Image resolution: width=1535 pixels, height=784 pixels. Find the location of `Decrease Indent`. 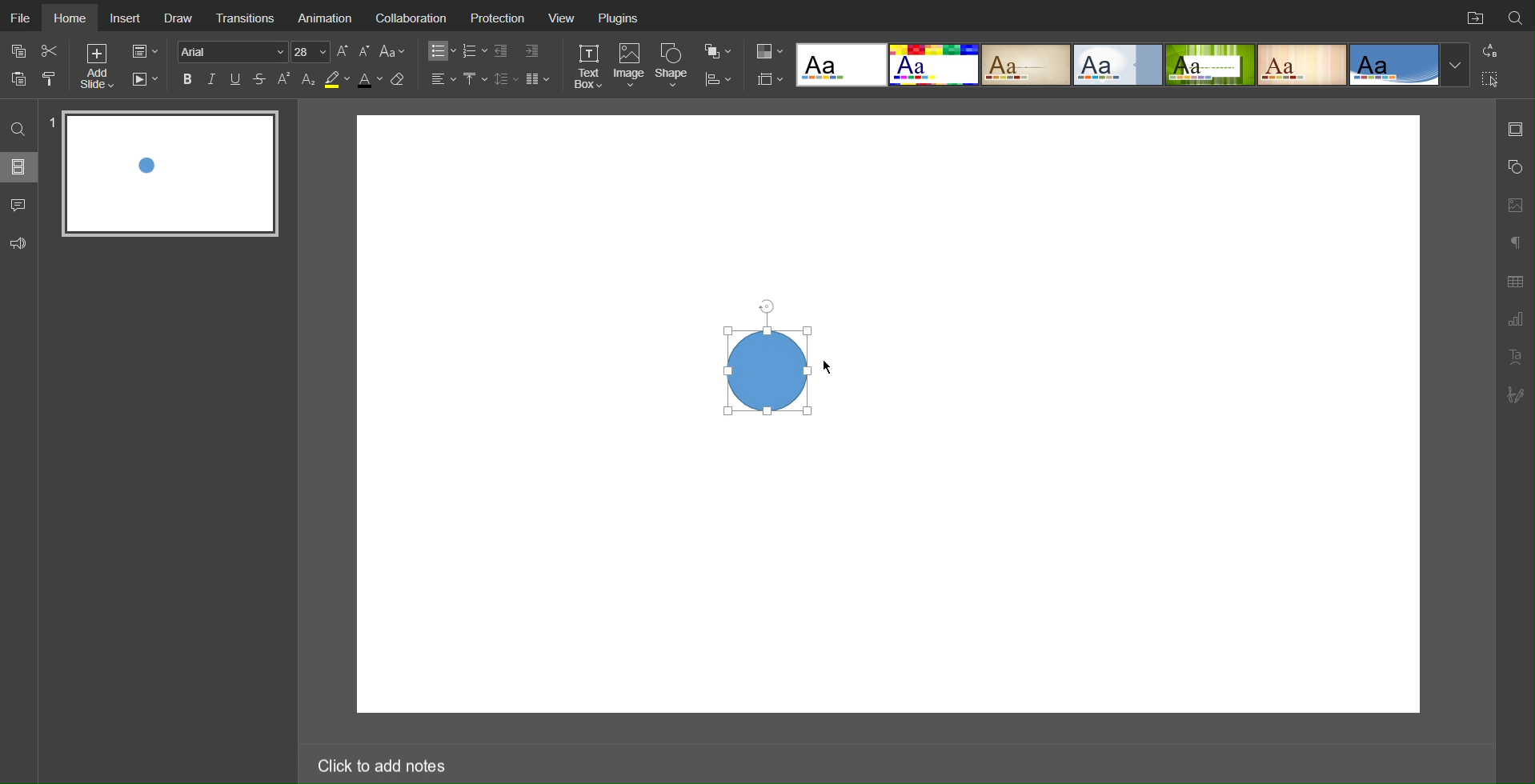

Decrease Indent is located at coordinates (503, 51).